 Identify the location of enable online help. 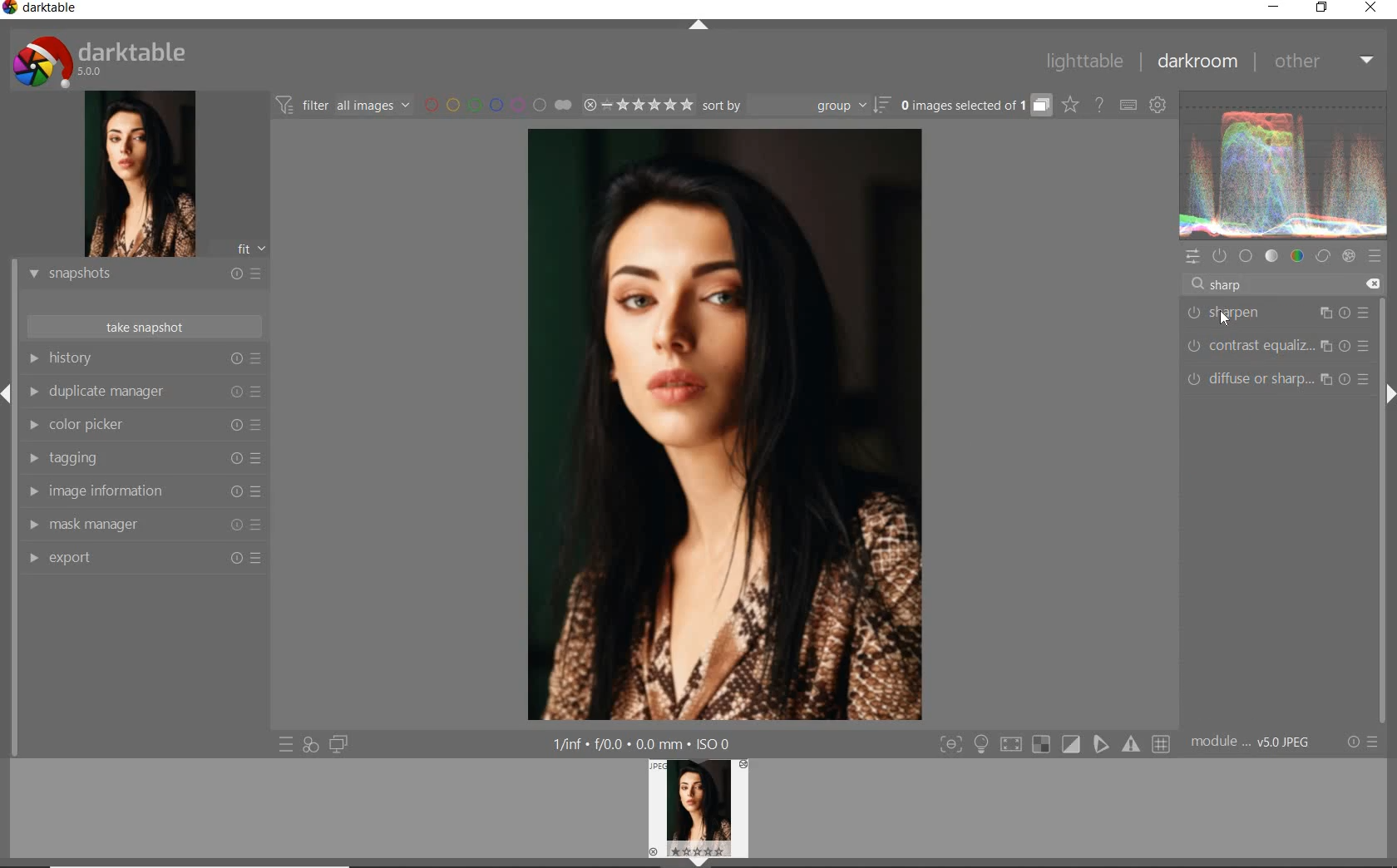
(1099, 106).